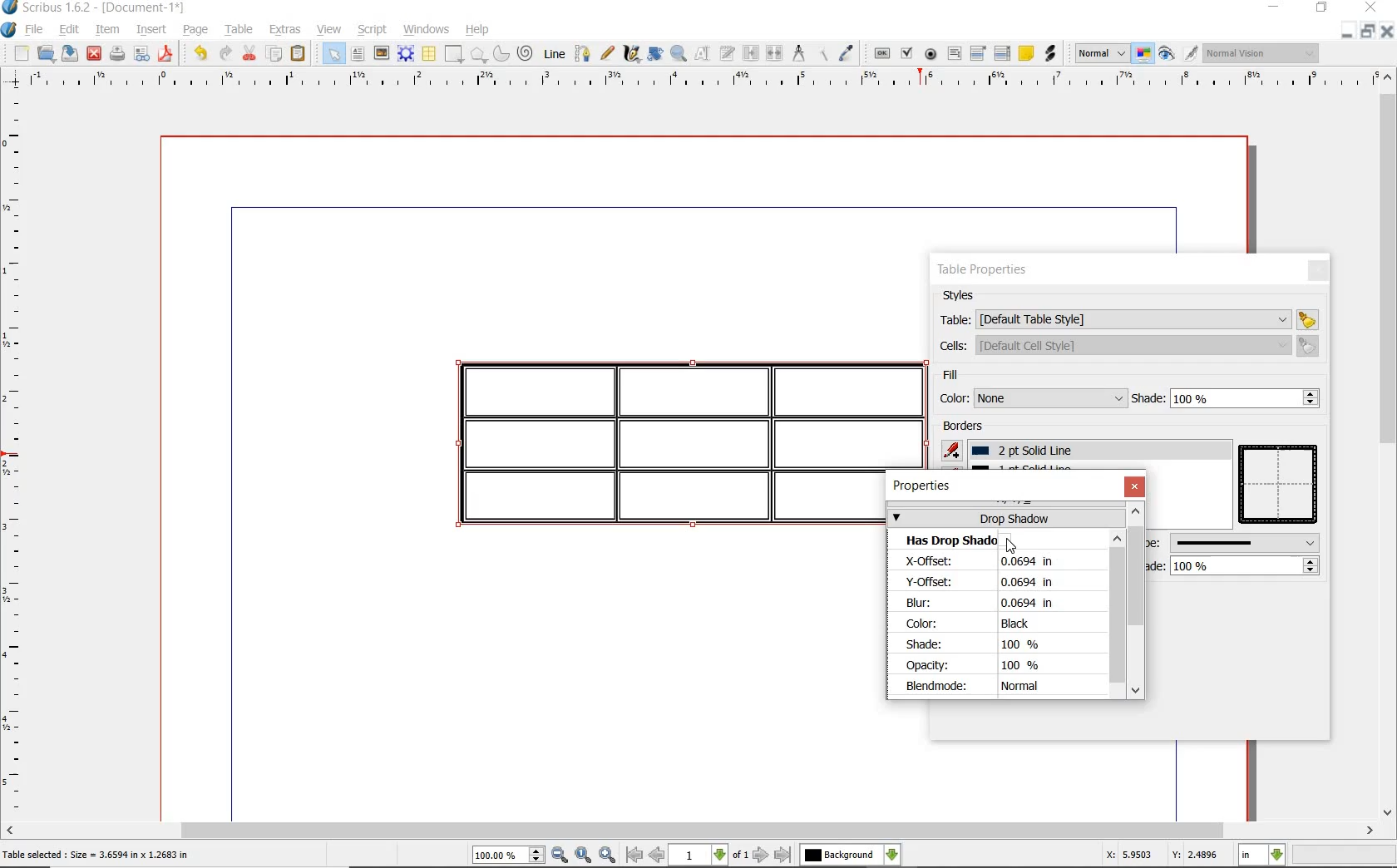  I want to click on edit in preview mode, so click(1190, 54).